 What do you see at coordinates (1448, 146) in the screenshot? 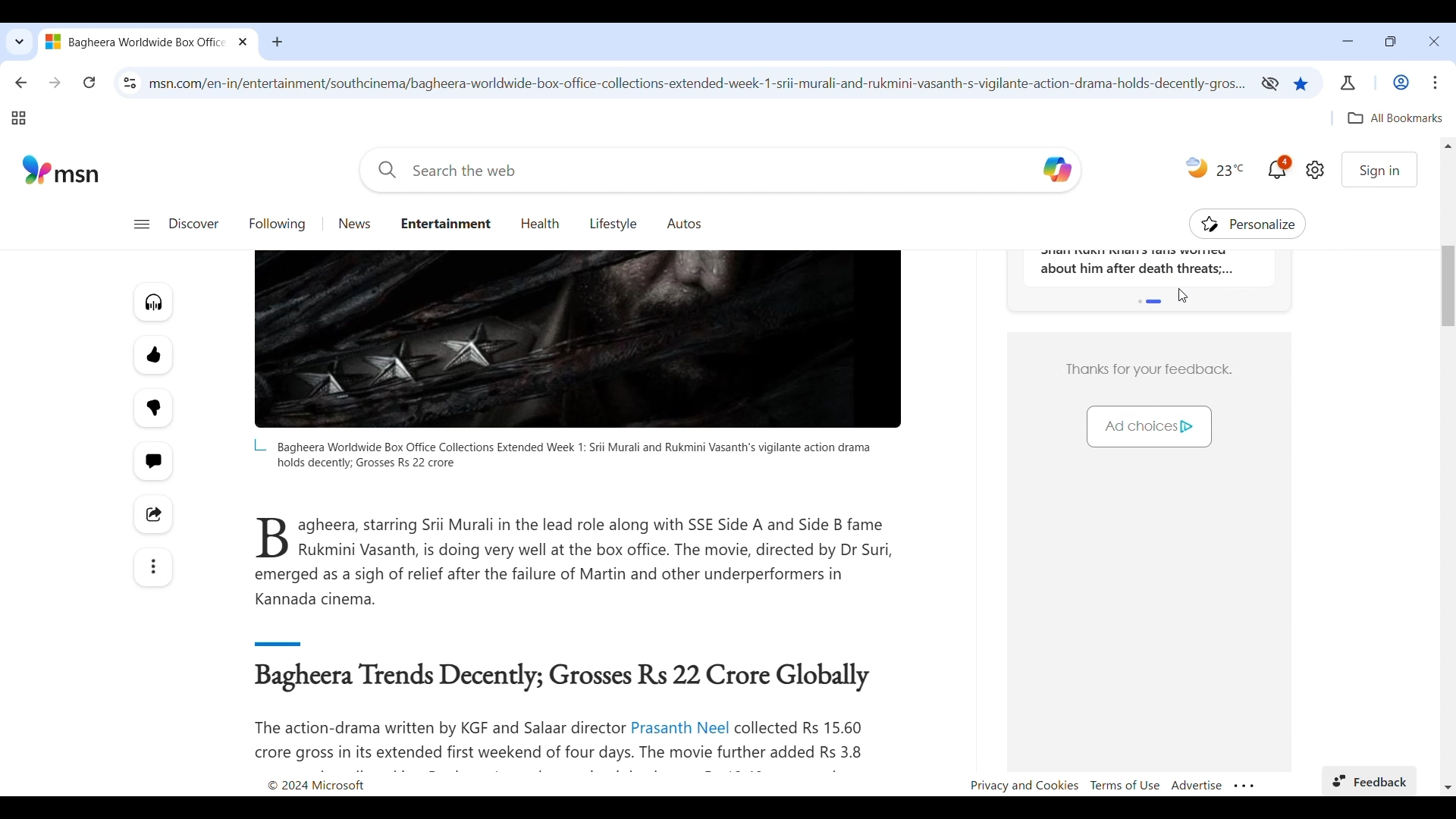
I see `Quick slide to top` at bounding box center [1448, 146].